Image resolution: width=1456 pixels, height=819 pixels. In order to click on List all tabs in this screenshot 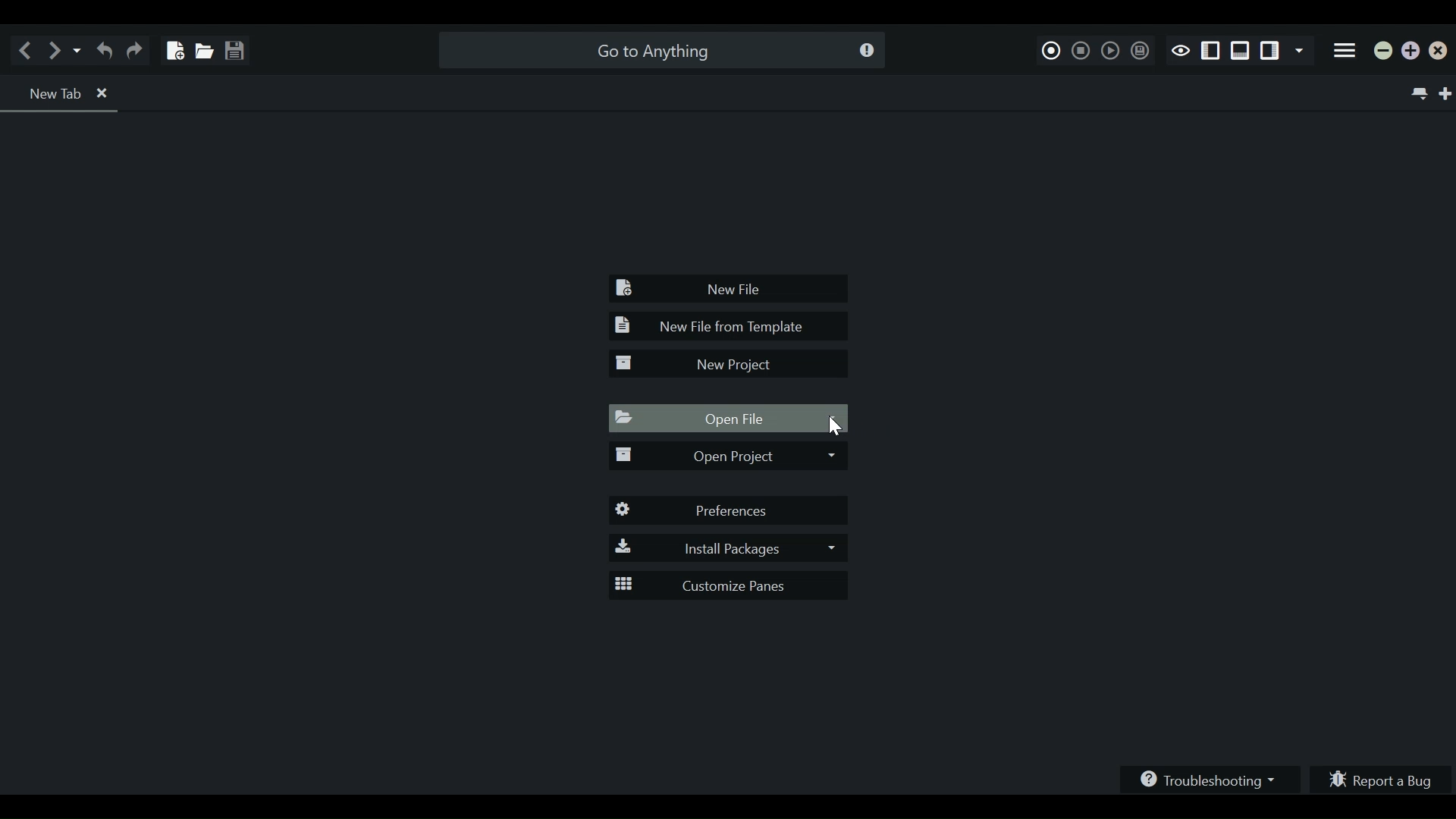, I will do `click(1417, 92)`.